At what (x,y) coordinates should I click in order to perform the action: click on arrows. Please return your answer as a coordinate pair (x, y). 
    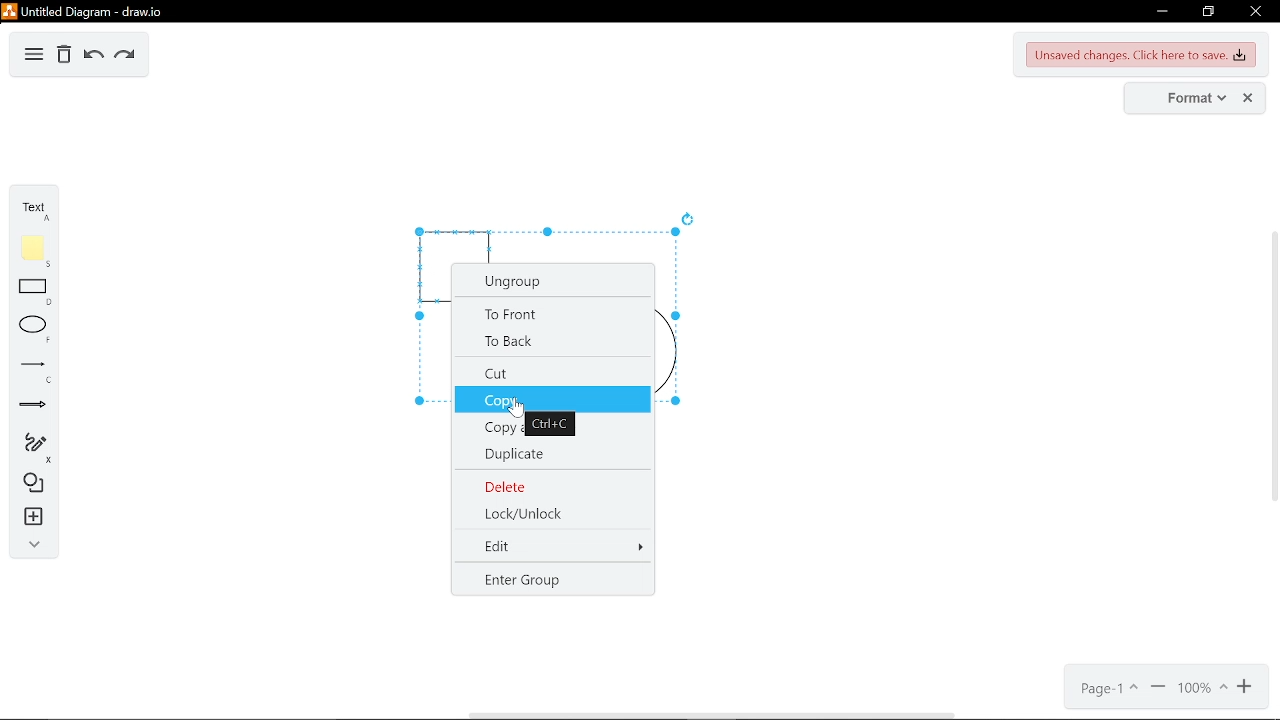
    Looking at the image, I should click on (33, 407).